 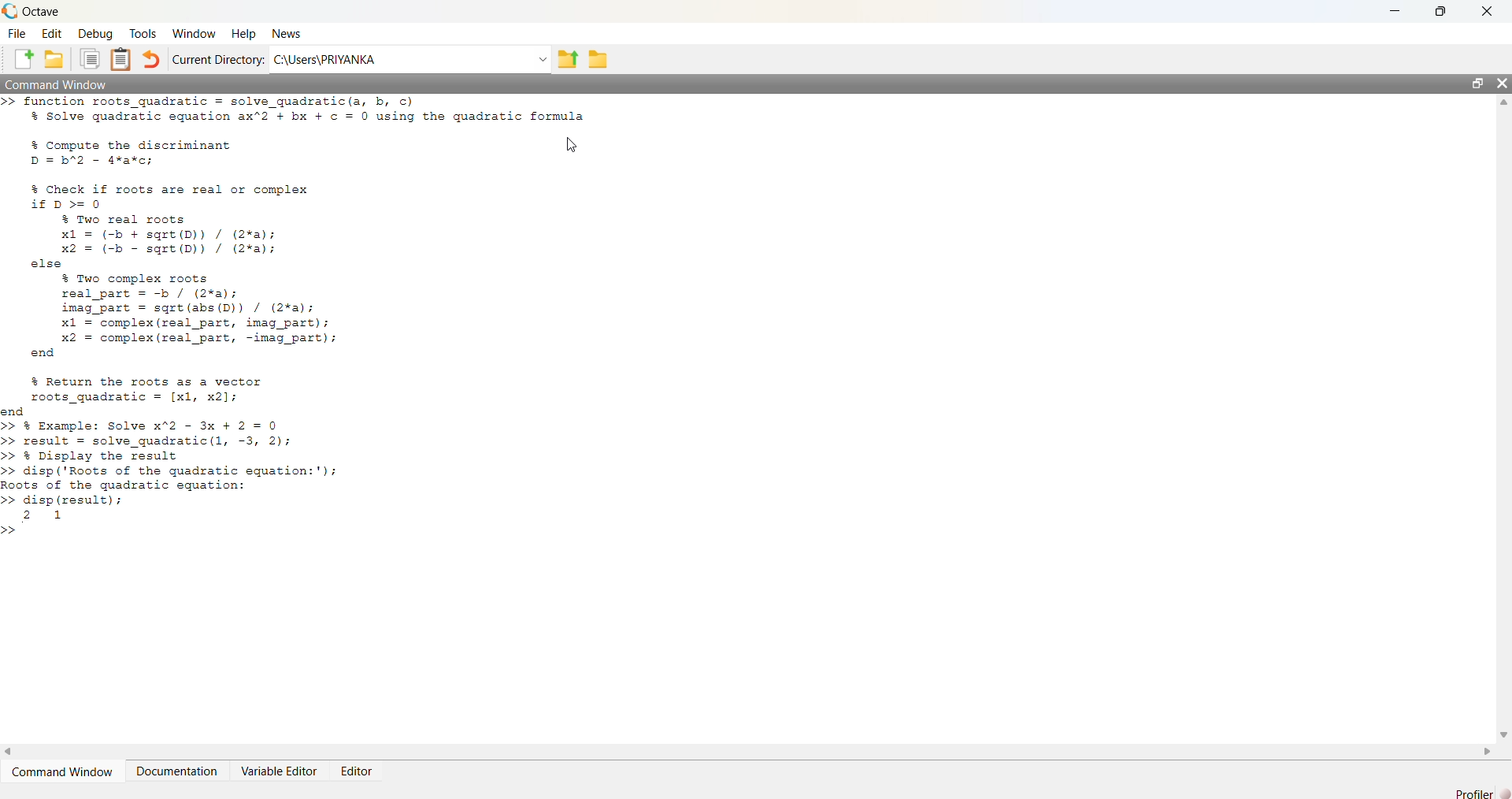 I want to click on Debug, so click(x=94, y=32).